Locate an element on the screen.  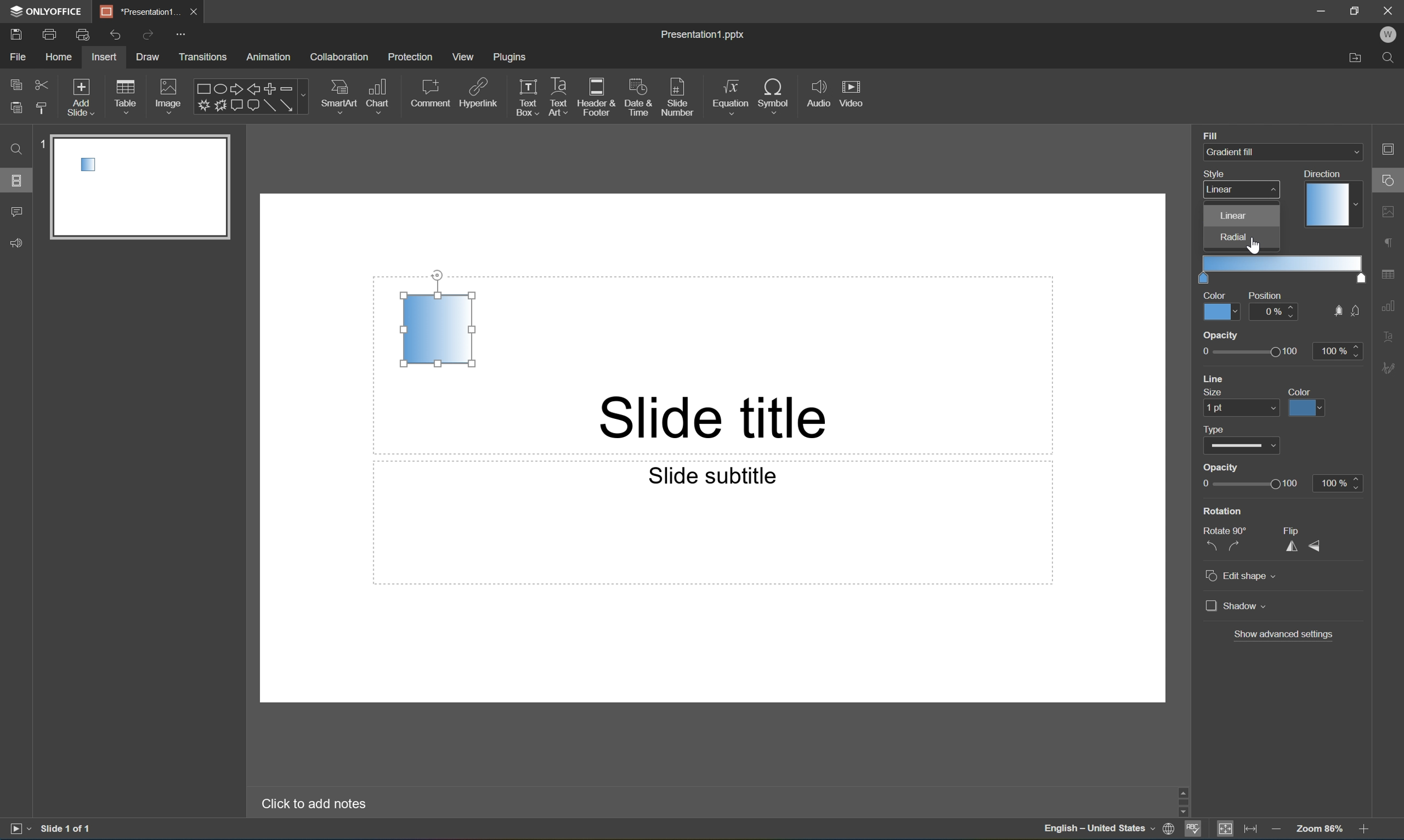
Paragraph settings is located at coordinates (1391, 243).